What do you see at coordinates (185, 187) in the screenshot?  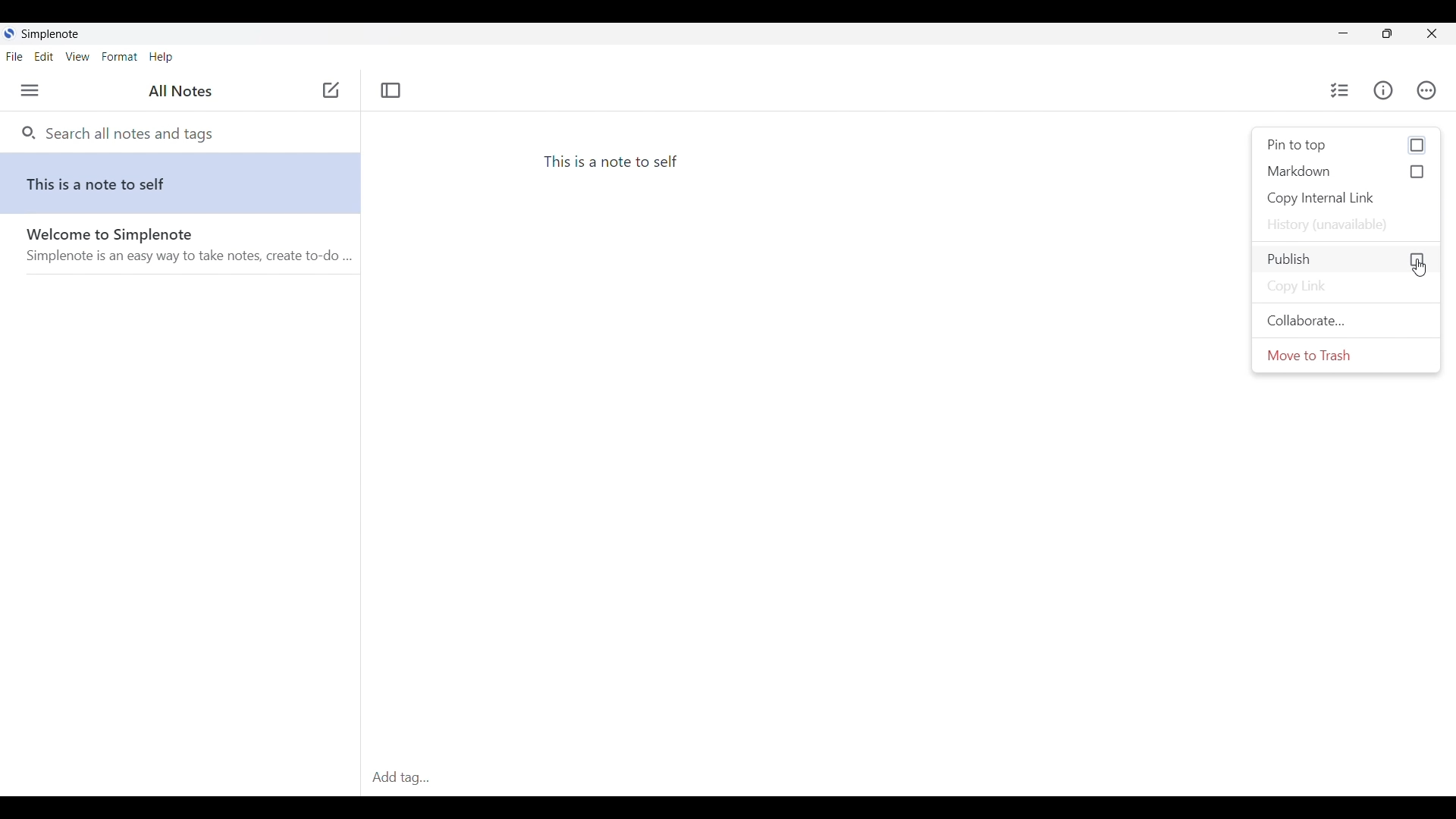 I see `This is a note to self` at bounding box center [185, 187].